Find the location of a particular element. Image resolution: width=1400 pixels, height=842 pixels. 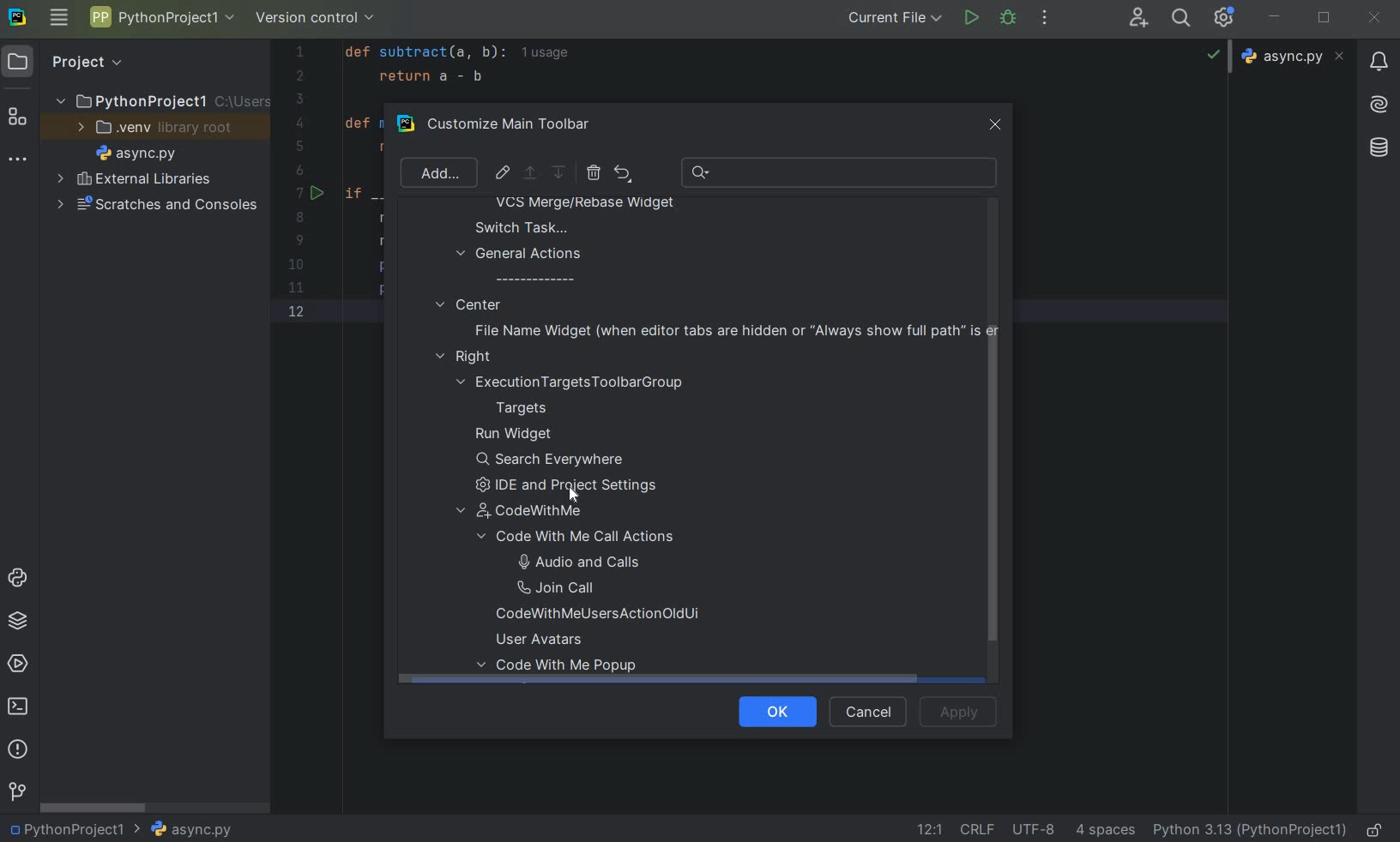

CURRENT FILE is located at coordinates (895, 17).